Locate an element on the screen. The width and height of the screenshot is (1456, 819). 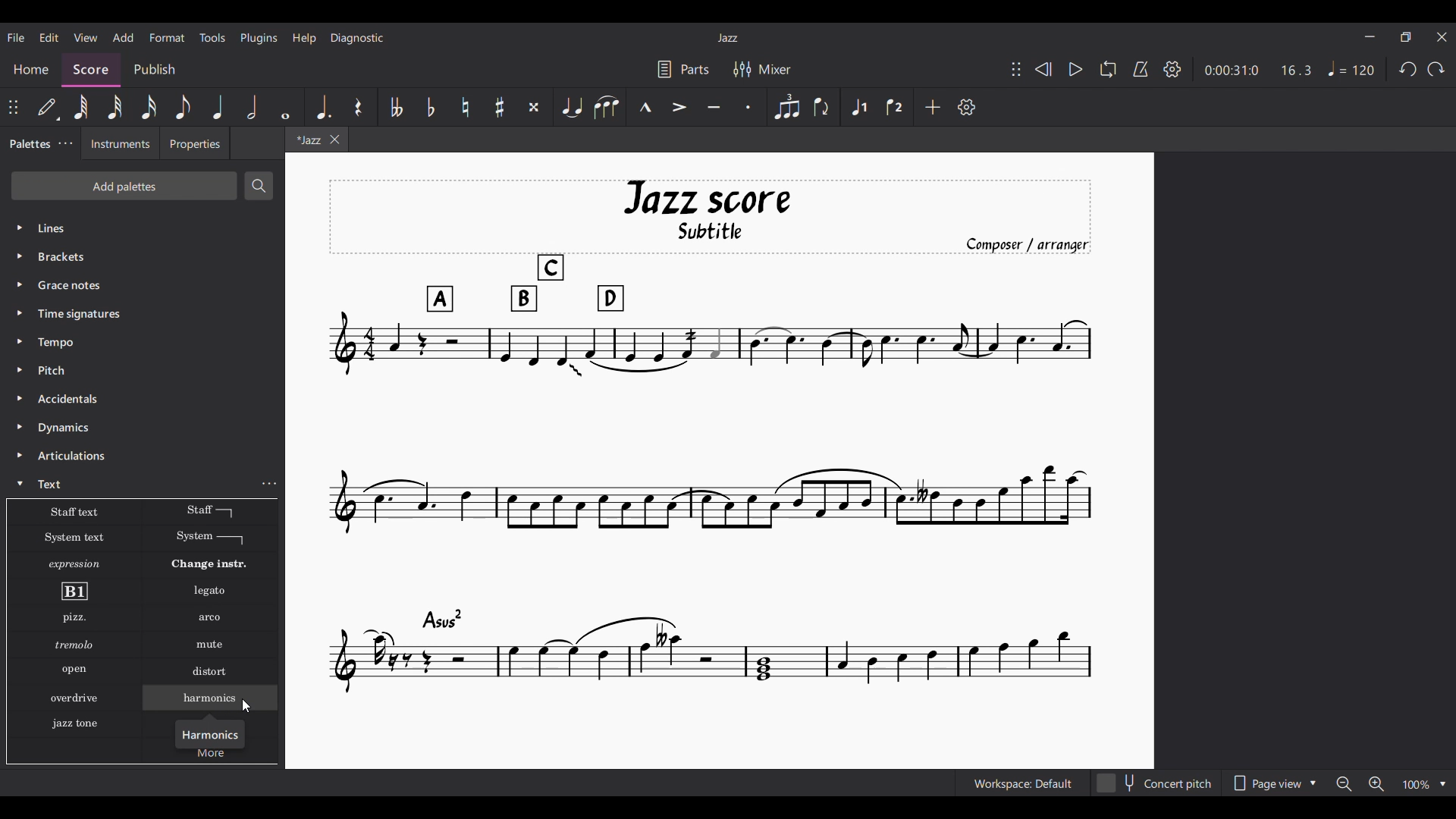
Show in smaller tab is located at coordinates (1405, 37).